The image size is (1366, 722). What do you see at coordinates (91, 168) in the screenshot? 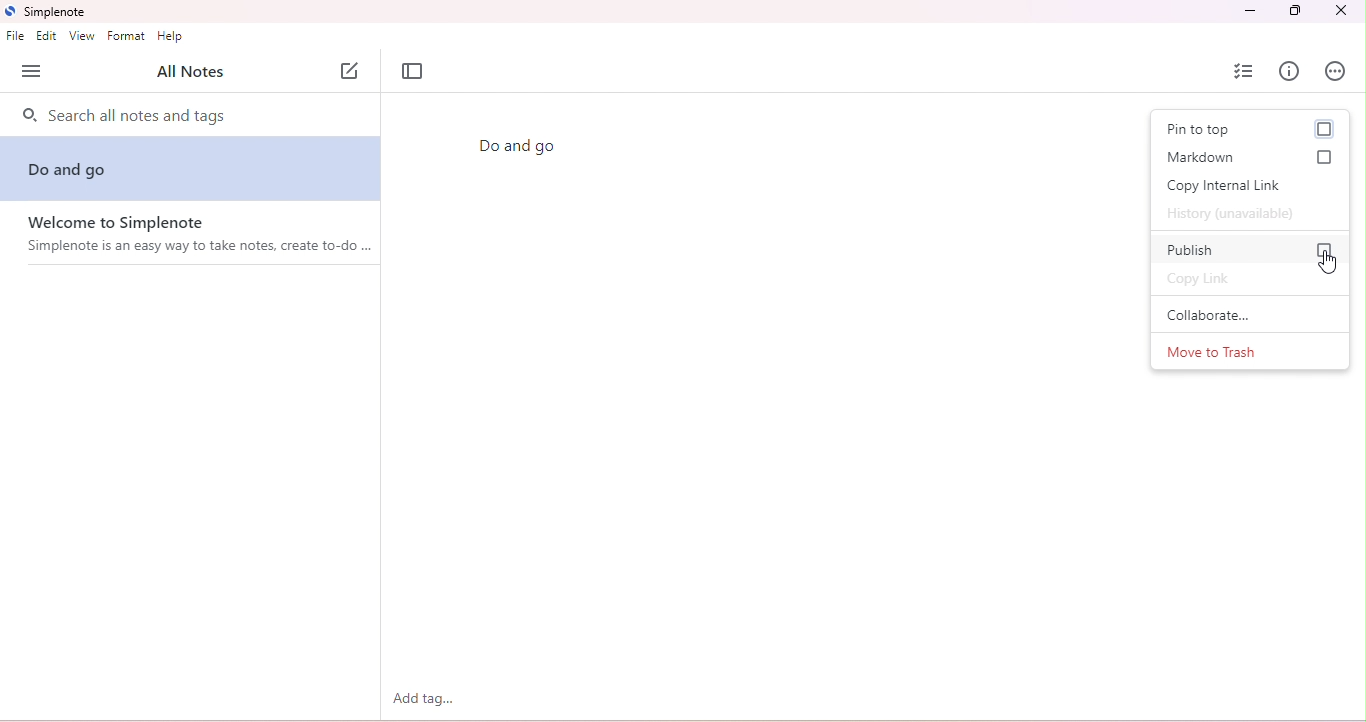
I see `do and go note` at bounding box center [91, 168].